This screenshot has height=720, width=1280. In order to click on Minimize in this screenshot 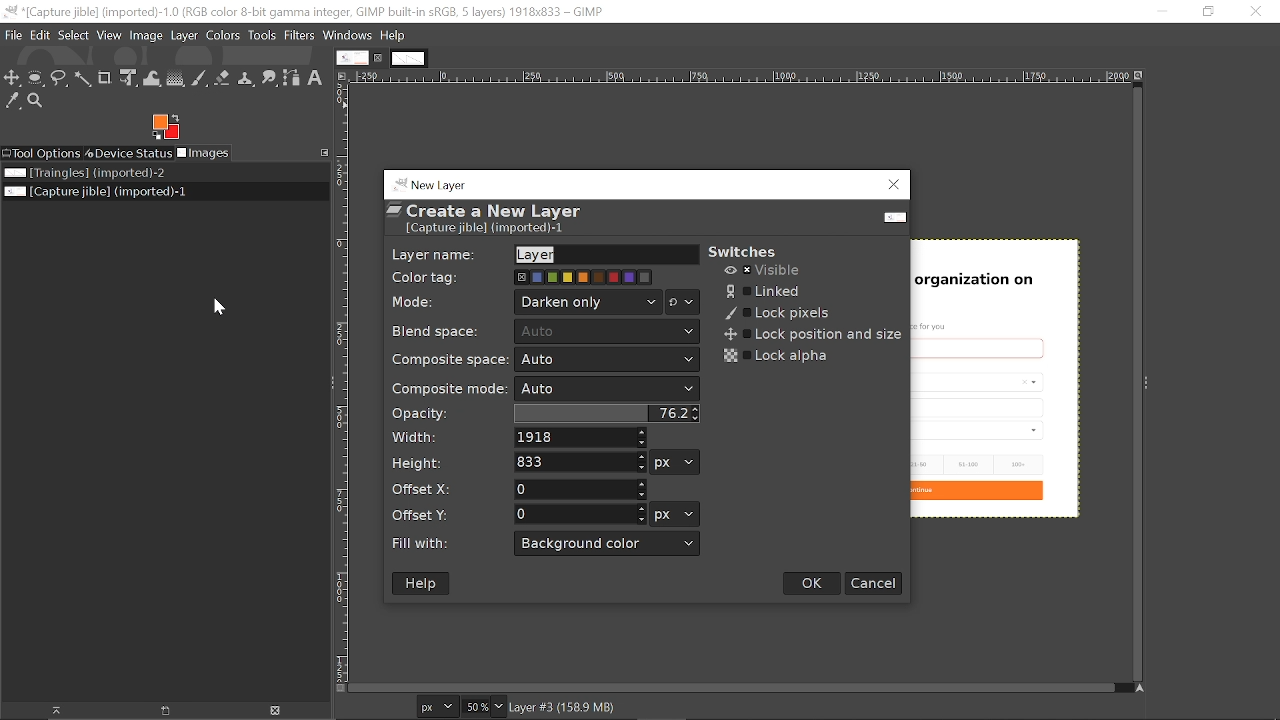, I will do `click(1162, 12)`.